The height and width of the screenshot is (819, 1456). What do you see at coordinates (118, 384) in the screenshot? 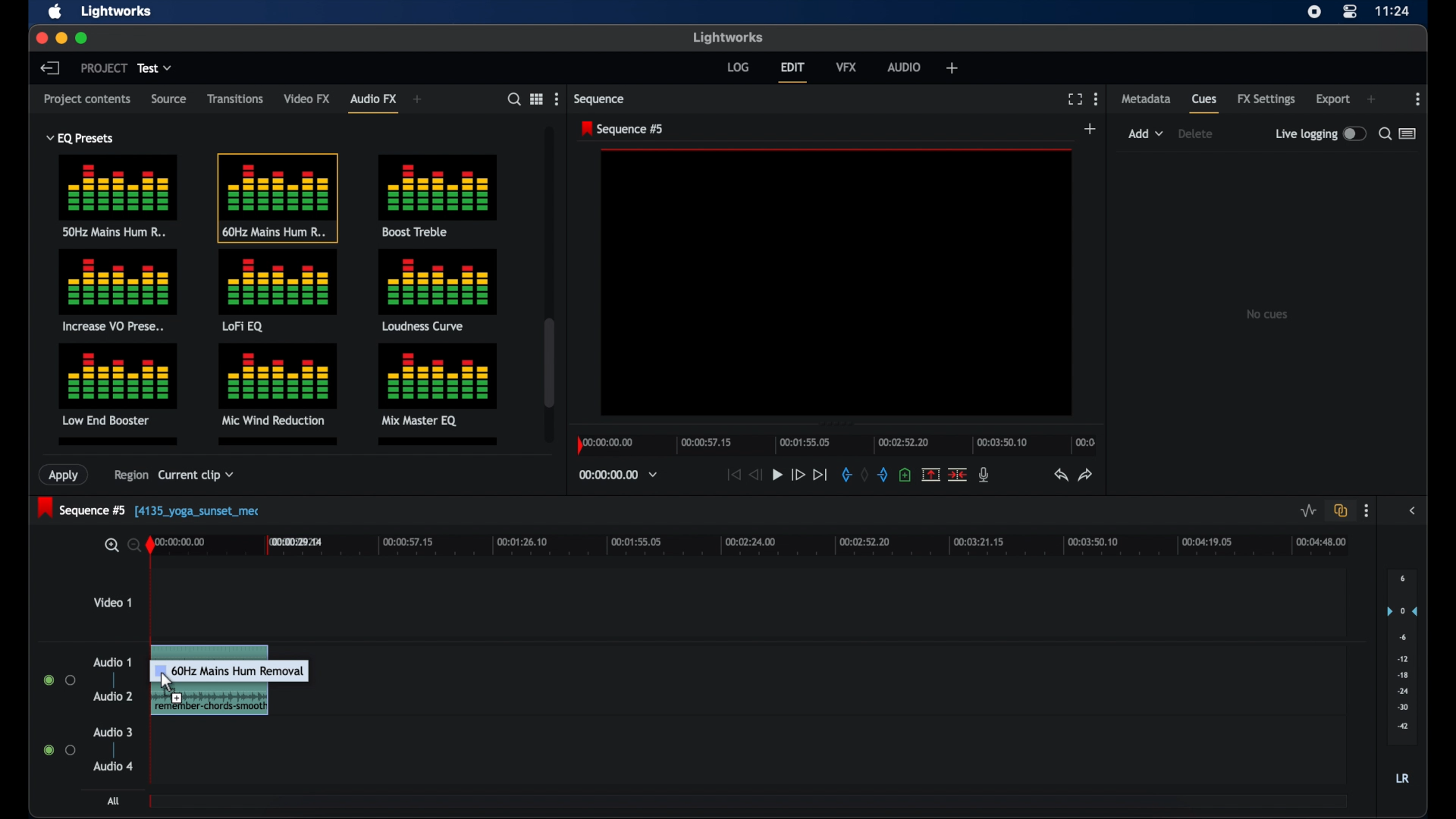
I see `low end booster` at bounding box center [118, 384].